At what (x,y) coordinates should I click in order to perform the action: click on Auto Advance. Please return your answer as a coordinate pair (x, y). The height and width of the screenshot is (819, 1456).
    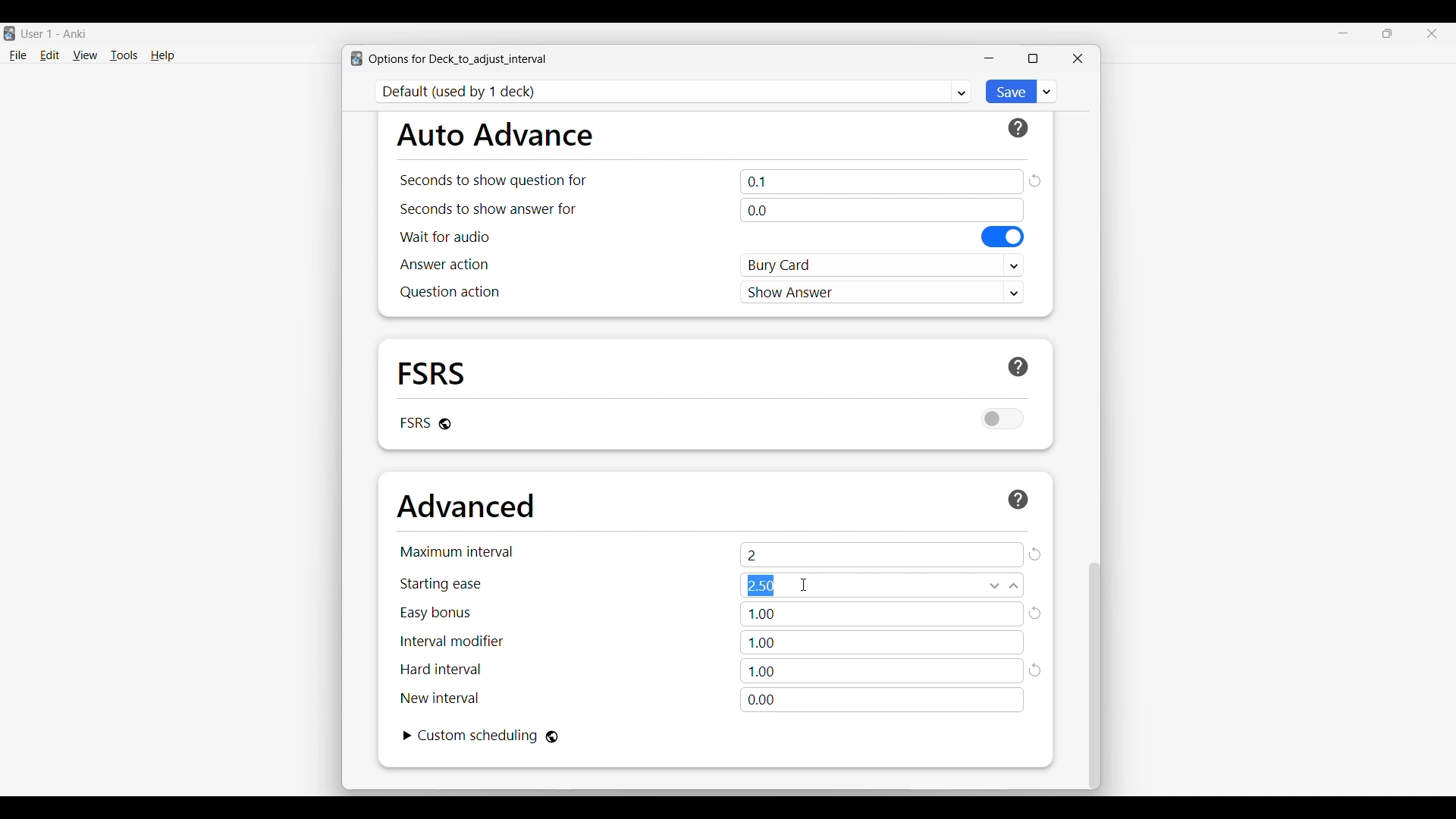
    Looking at the image, I should click on (494, 134).